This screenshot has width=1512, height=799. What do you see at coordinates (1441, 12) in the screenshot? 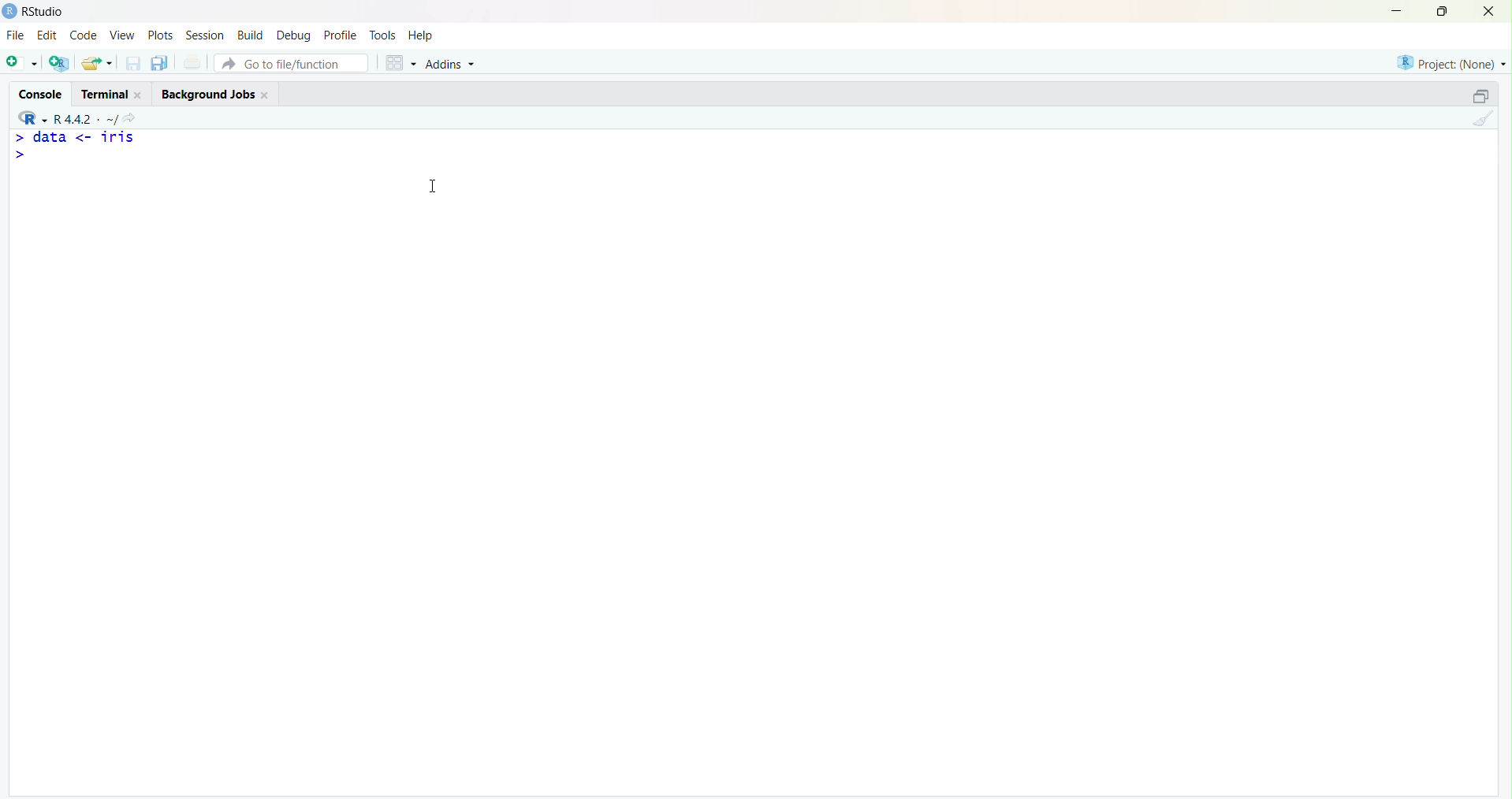
I see `Maximize` at bounding box center [1441, 12].